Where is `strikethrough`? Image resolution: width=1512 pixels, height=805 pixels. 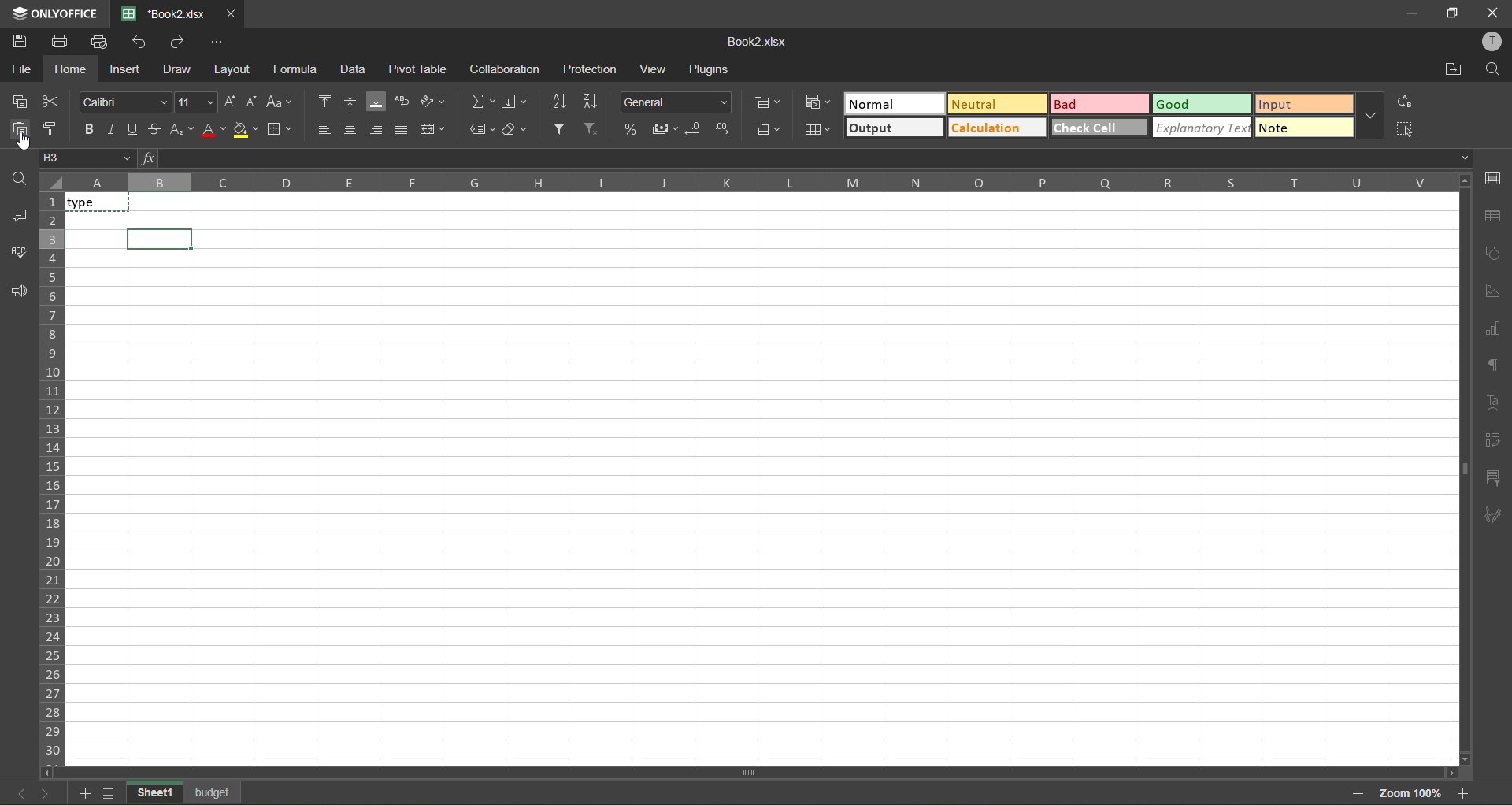 strikethrough is located at coordinates (160, 130).